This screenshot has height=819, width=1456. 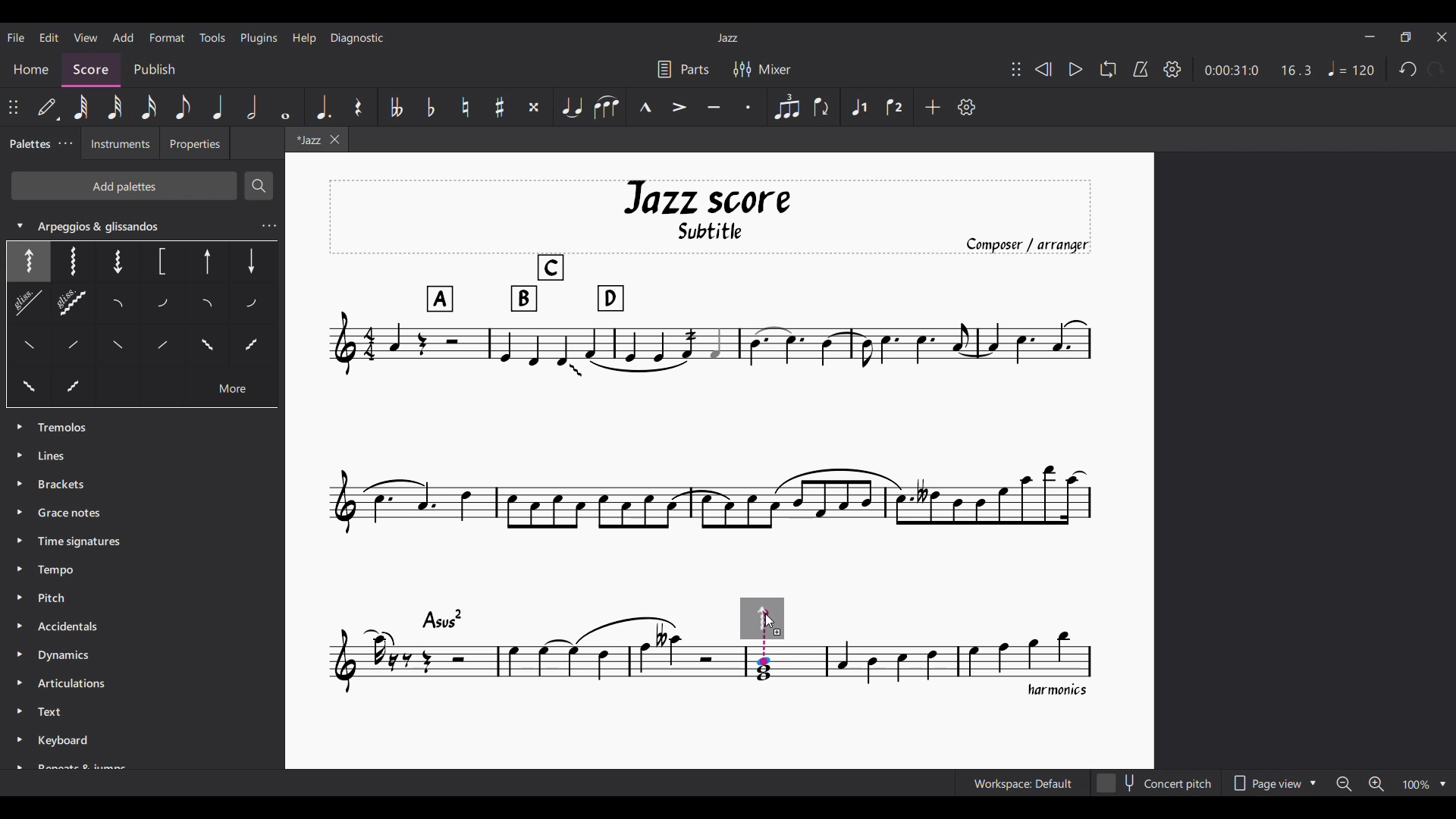 I want to click on Add menu, so click(x=124, y=38).